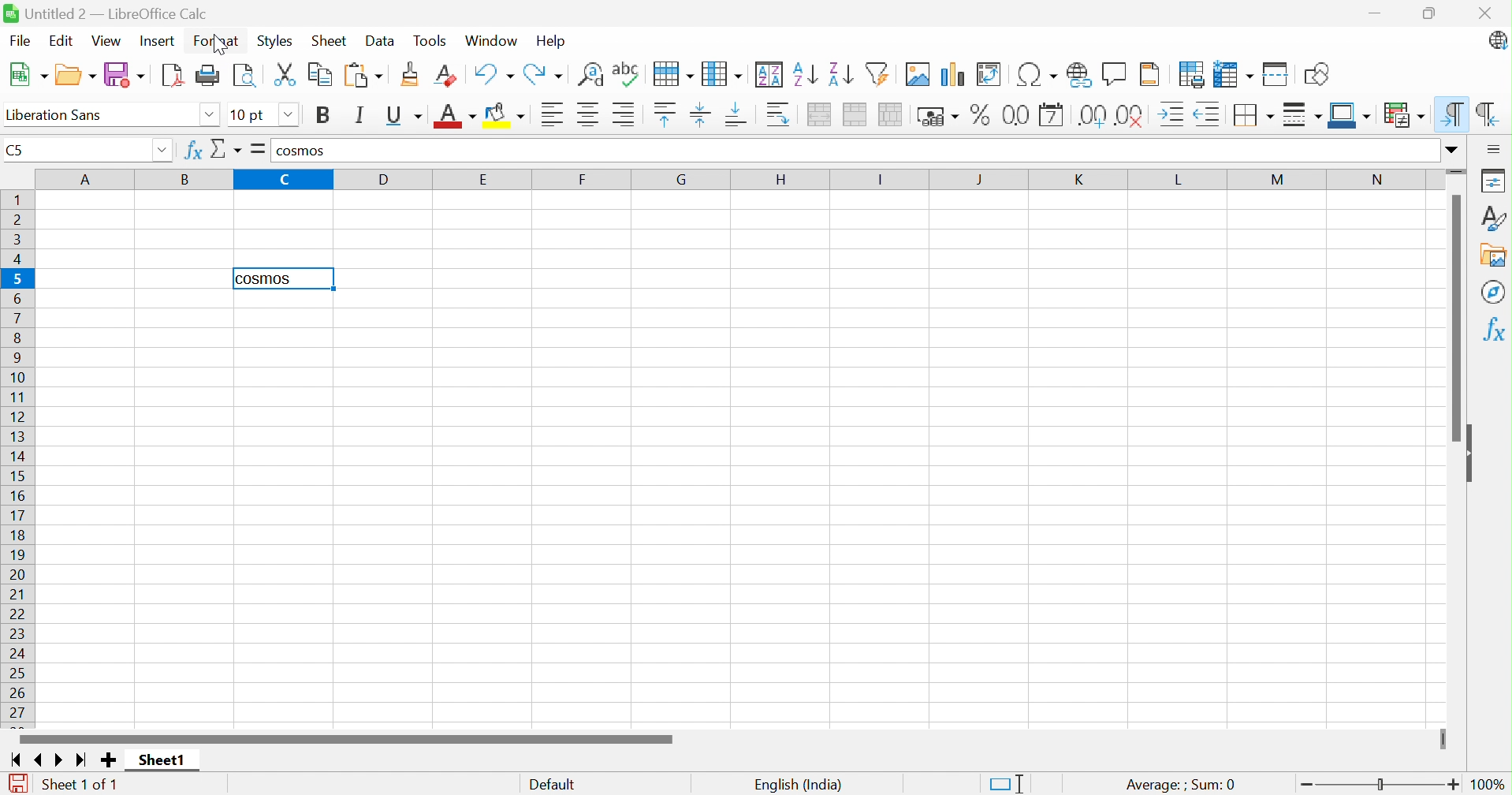 This screenshot has width=1512, height=795. What do you see at coordinates (1302, 114) in the screenshot?
I see `Border style` at bounding box center [1302, 114].